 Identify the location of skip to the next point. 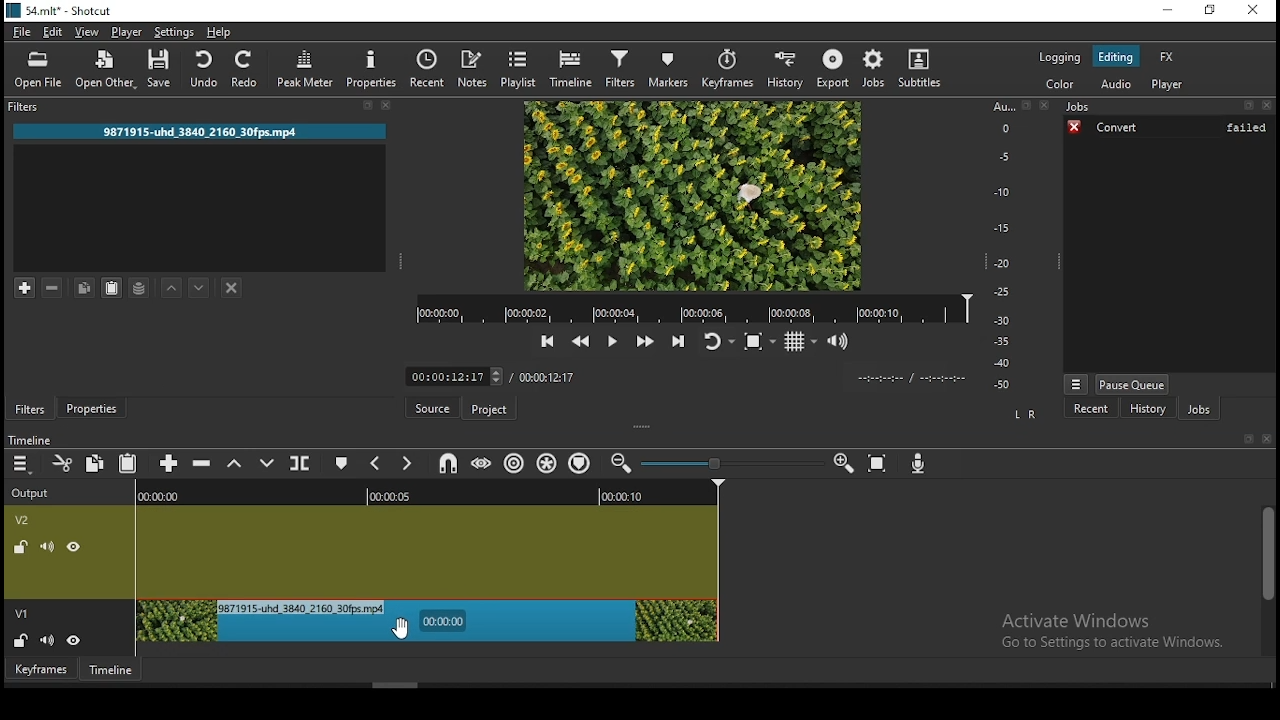
(682, 343).